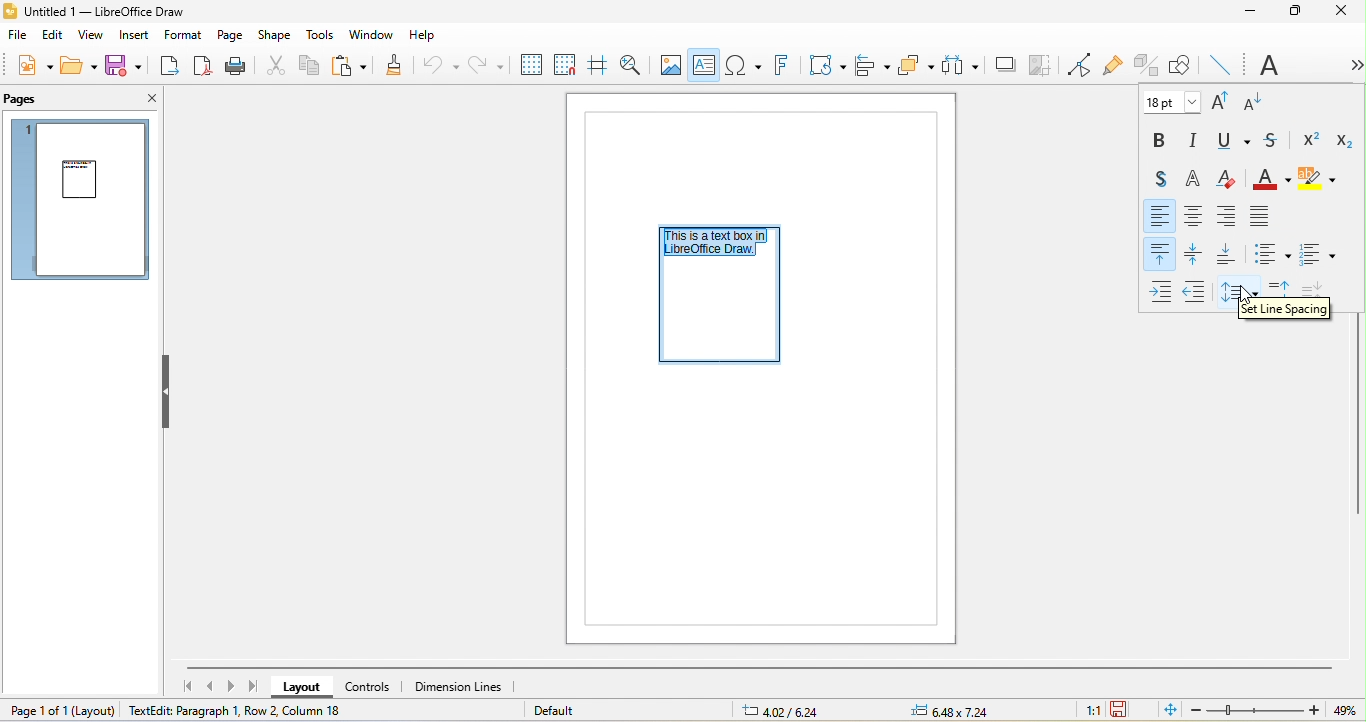  Describe the element at coordinates (1161, 140) in the screenshot. I see `bold` at that location.